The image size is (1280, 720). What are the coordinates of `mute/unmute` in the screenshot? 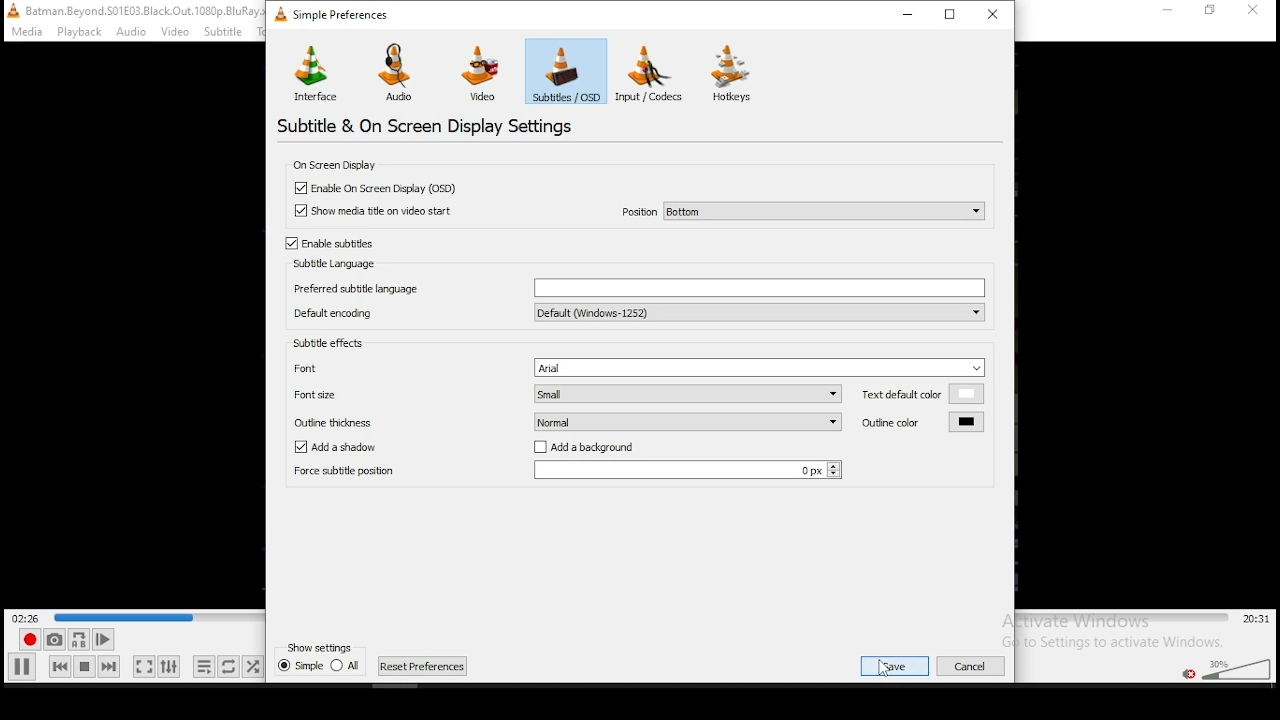 It's located at (1187, 673).